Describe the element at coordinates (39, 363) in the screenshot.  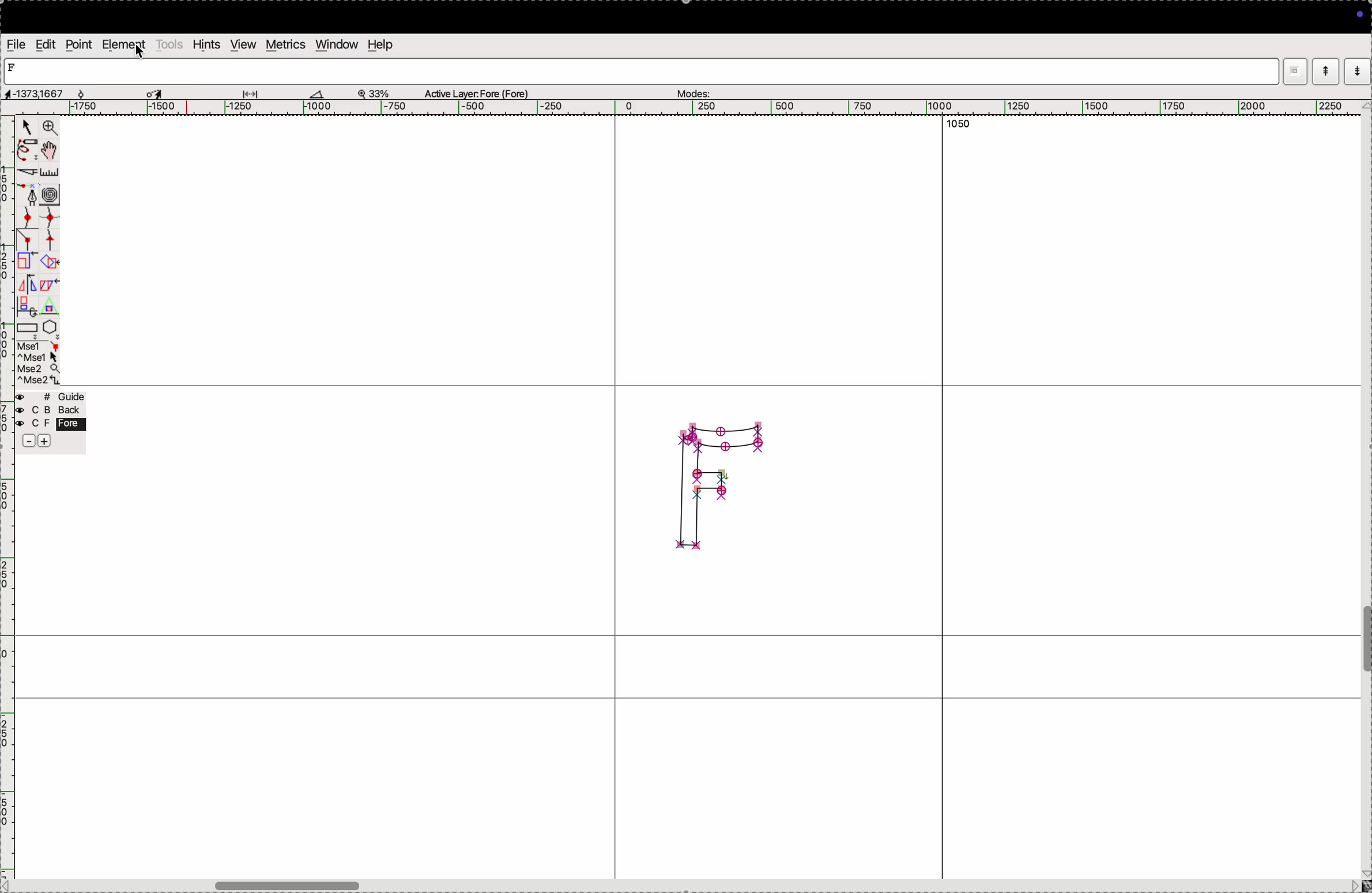
I see `mse ` at that location.